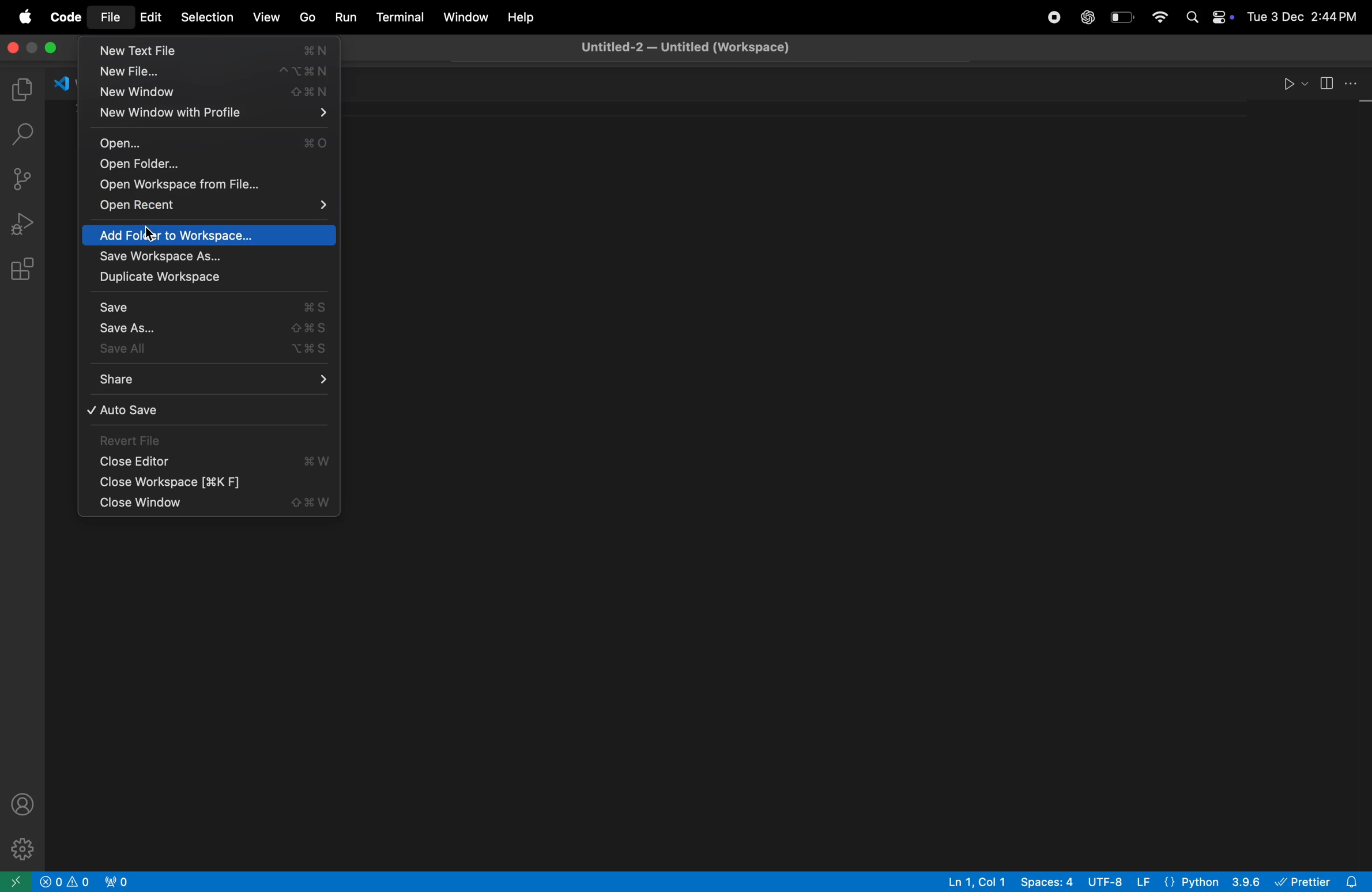  I want to click on terminal, so click(397, 16).